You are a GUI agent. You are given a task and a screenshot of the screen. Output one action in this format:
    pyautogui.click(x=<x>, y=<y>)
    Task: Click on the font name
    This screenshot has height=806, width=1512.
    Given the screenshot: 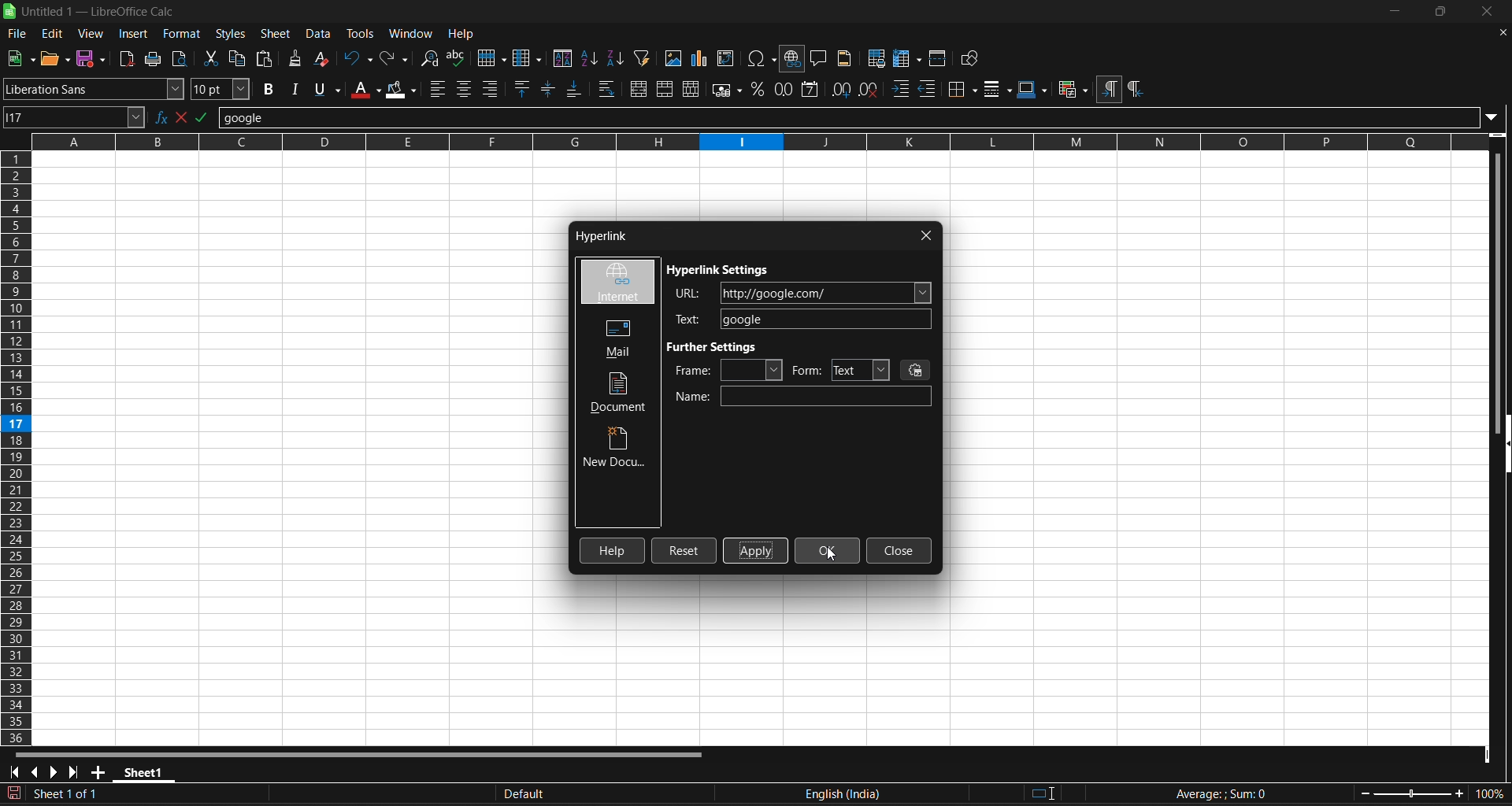 What is the action you would take?
    pyautogui.click(x=94, y=88)
    